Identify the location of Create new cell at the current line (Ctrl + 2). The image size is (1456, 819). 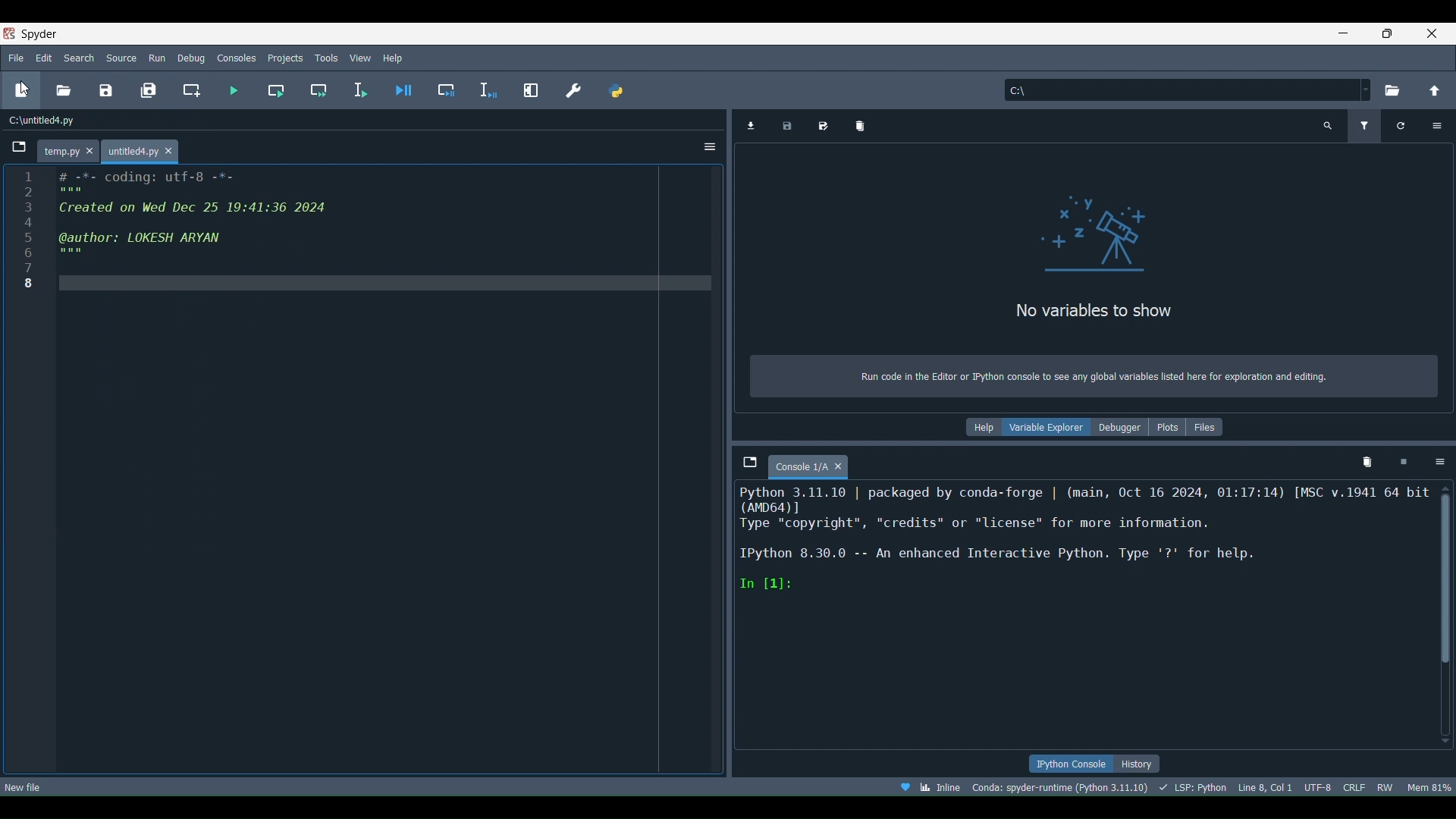
(187, 89).